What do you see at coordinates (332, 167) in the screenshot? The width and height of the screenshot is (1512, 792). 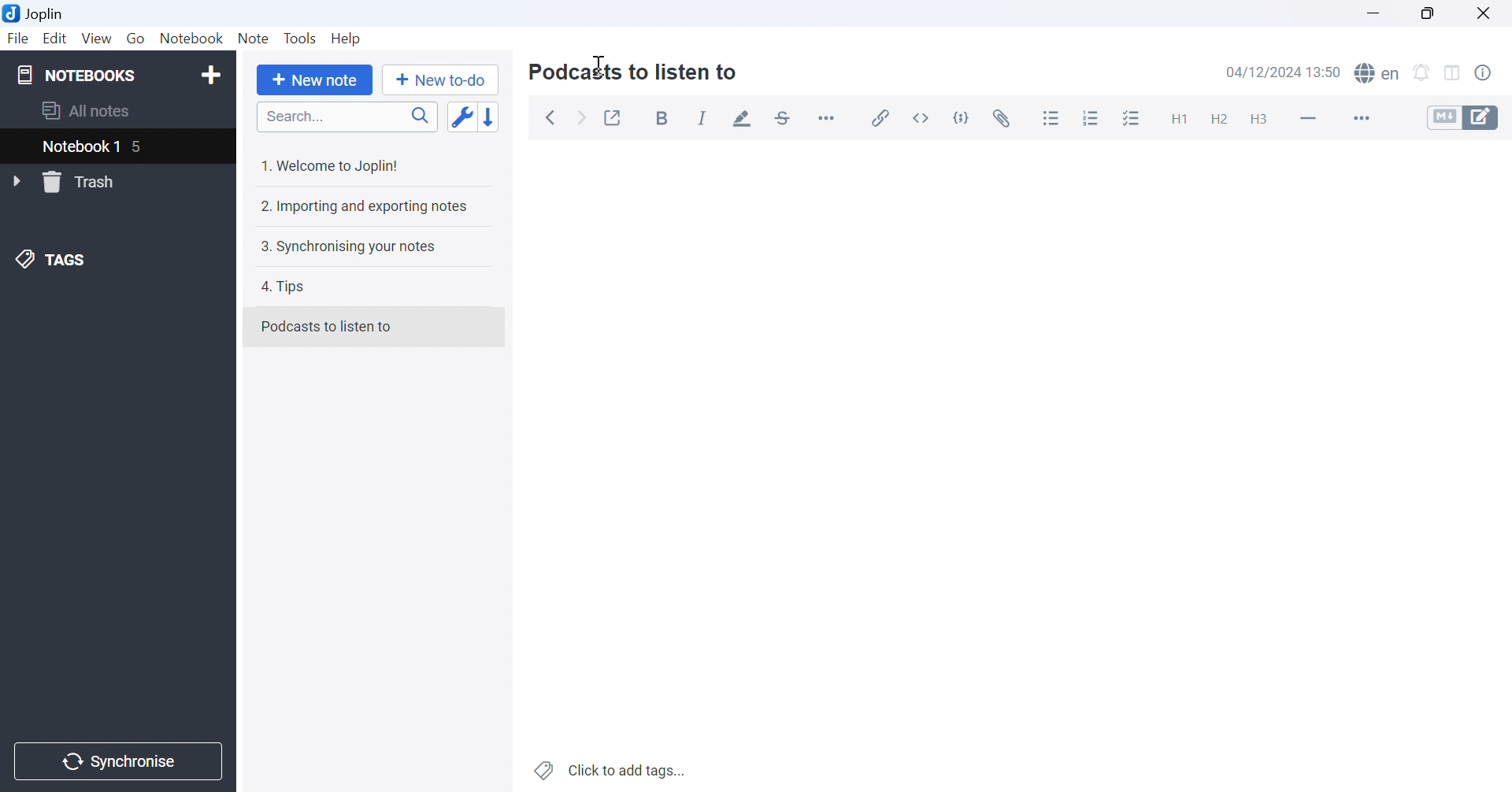 I see `1. Welcome to Joplin!` at bounding box center [332, 167].